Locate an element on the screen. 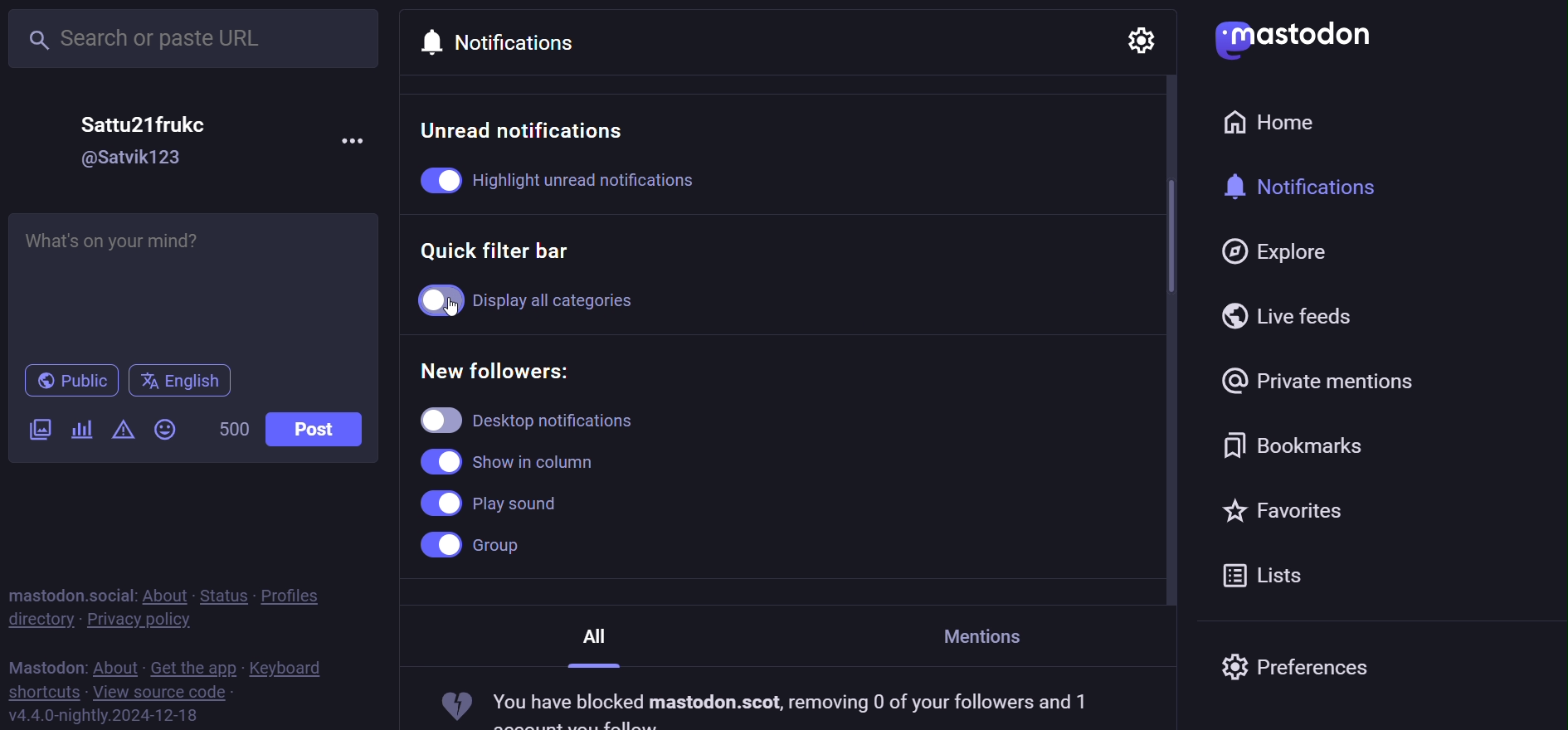  more is located at coordinates (356, 139).